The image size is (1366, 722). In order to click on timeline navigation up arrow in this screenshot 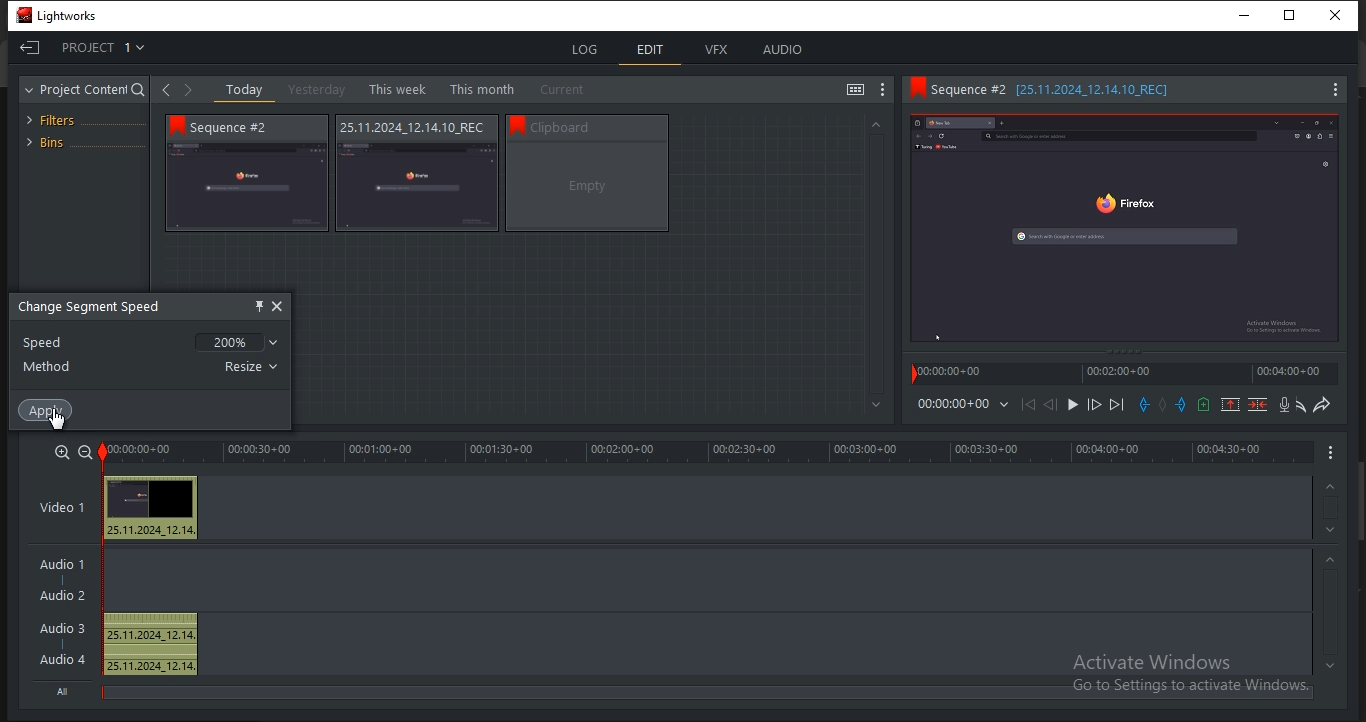, I will do `click(1327, 529)`.